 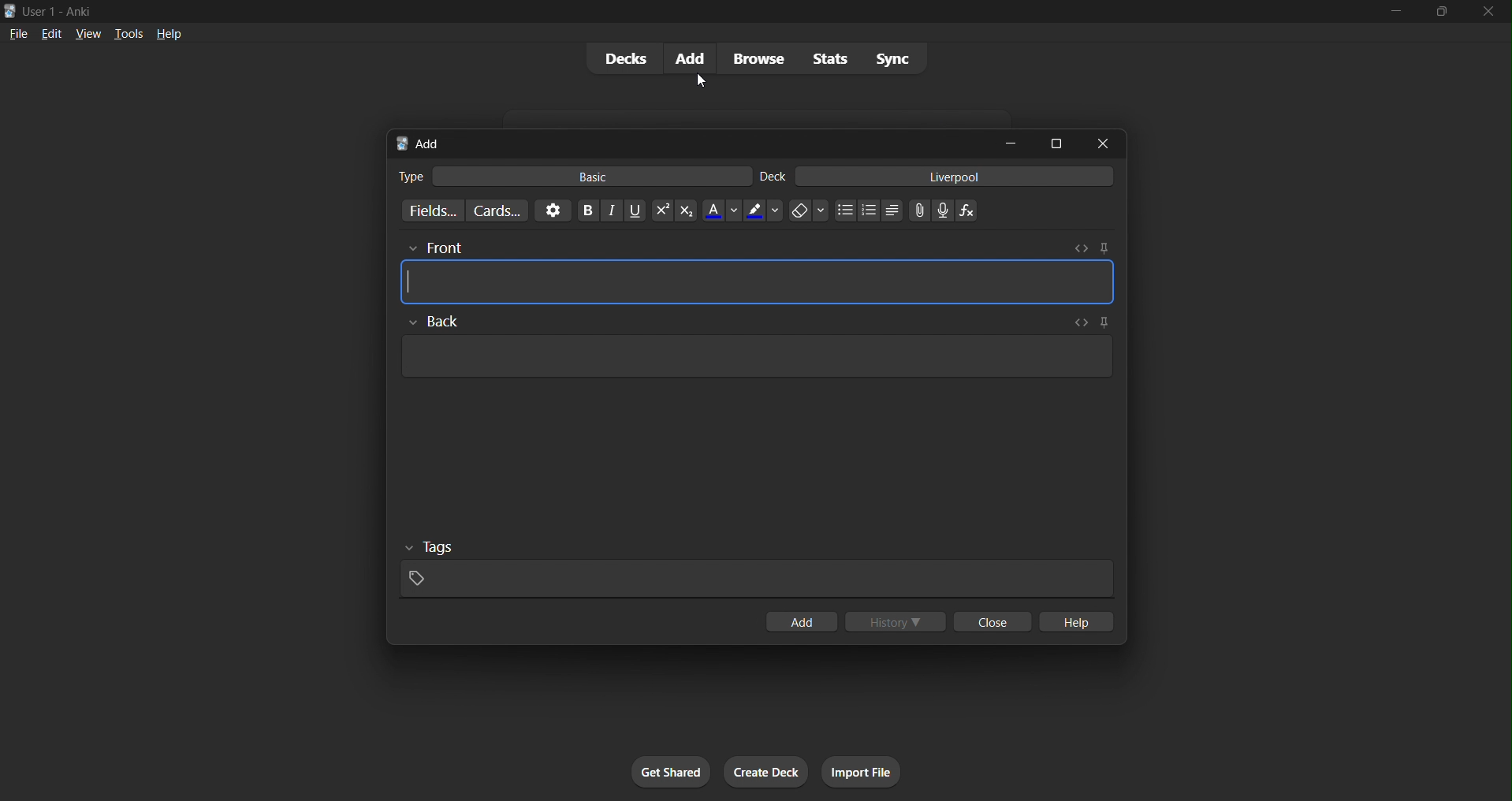 What do you see at coordinates (888, 59) in the screenshot?
I see `sync` at bounding box center [888, 59].